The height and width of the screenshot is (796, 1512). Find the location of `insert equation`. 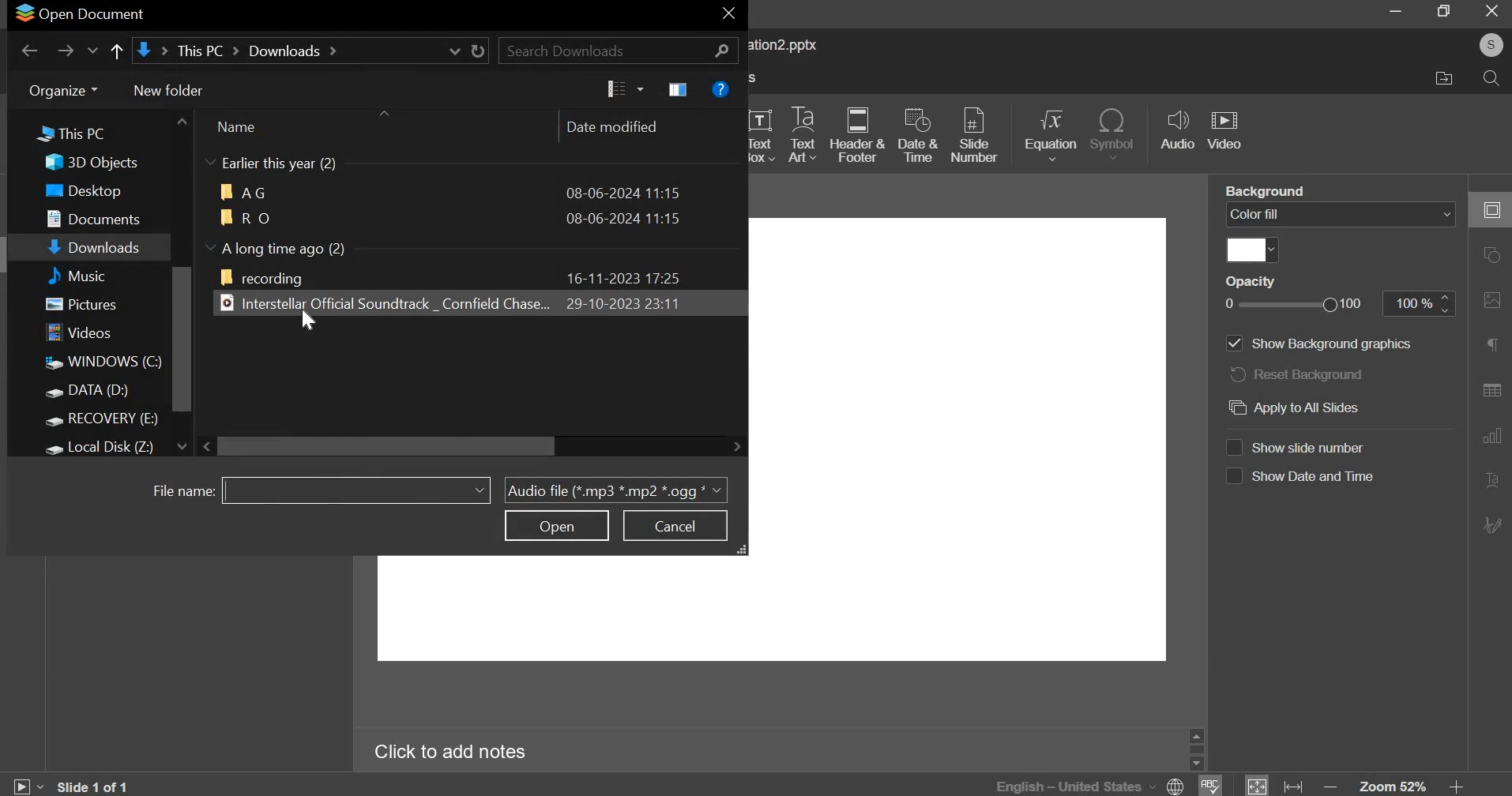

insert equation is located at coordinates (1054, 135).